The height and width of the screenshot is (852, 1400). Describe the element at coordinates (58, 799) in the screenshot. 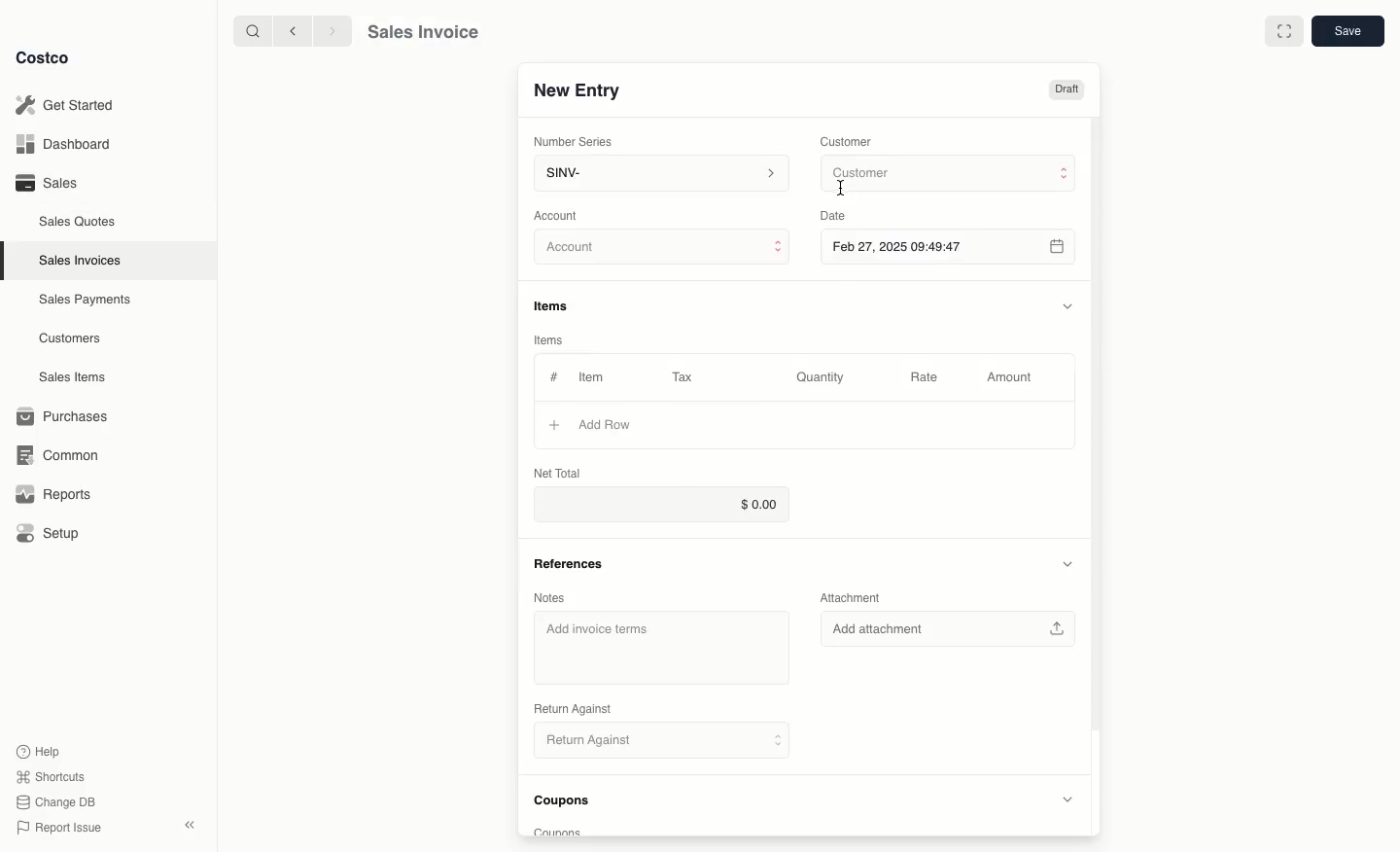

I see `Change DB` at that location.